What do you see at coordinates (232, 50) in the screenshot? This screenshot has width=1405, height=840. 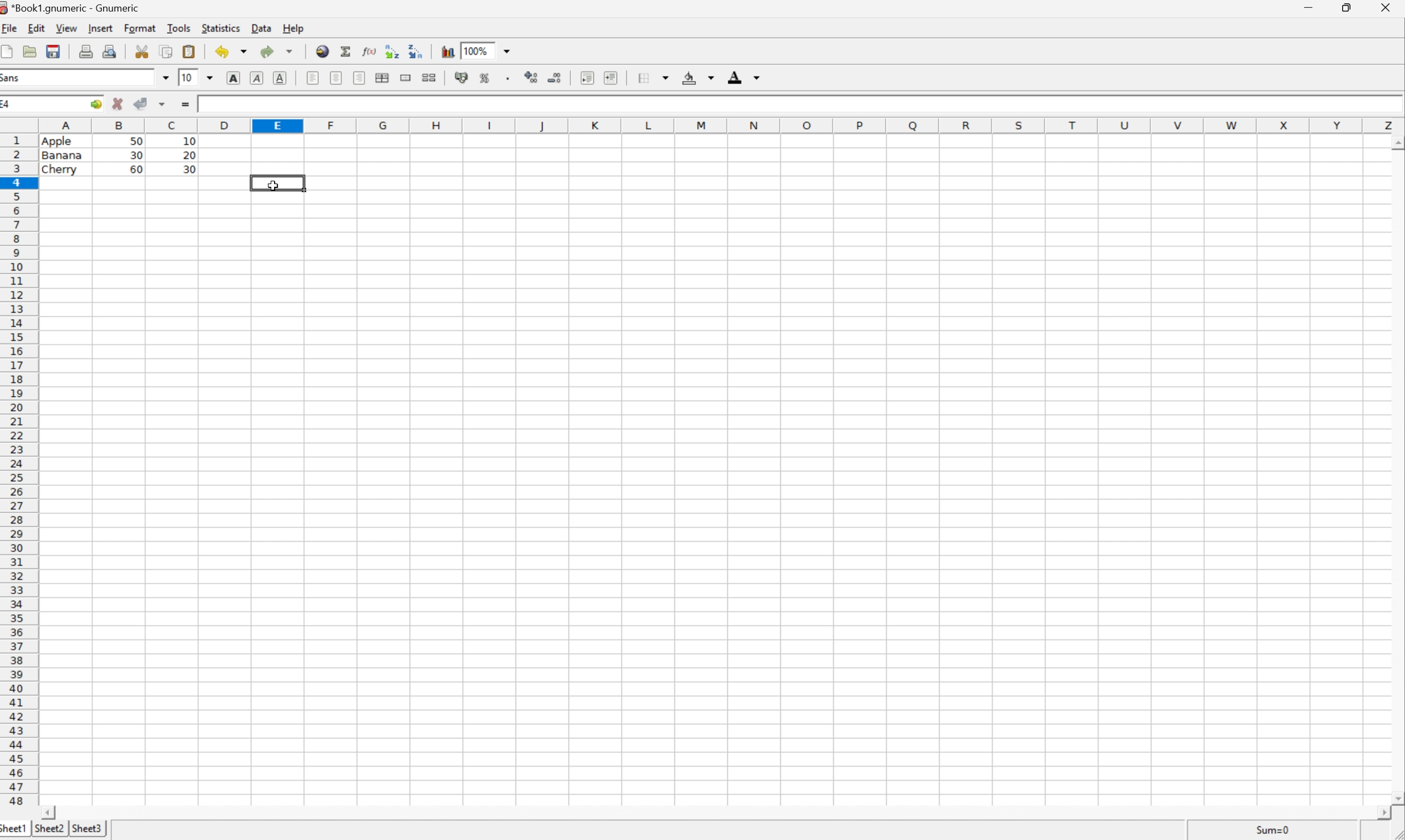 I see `undo` at bounding box center [232, 50].